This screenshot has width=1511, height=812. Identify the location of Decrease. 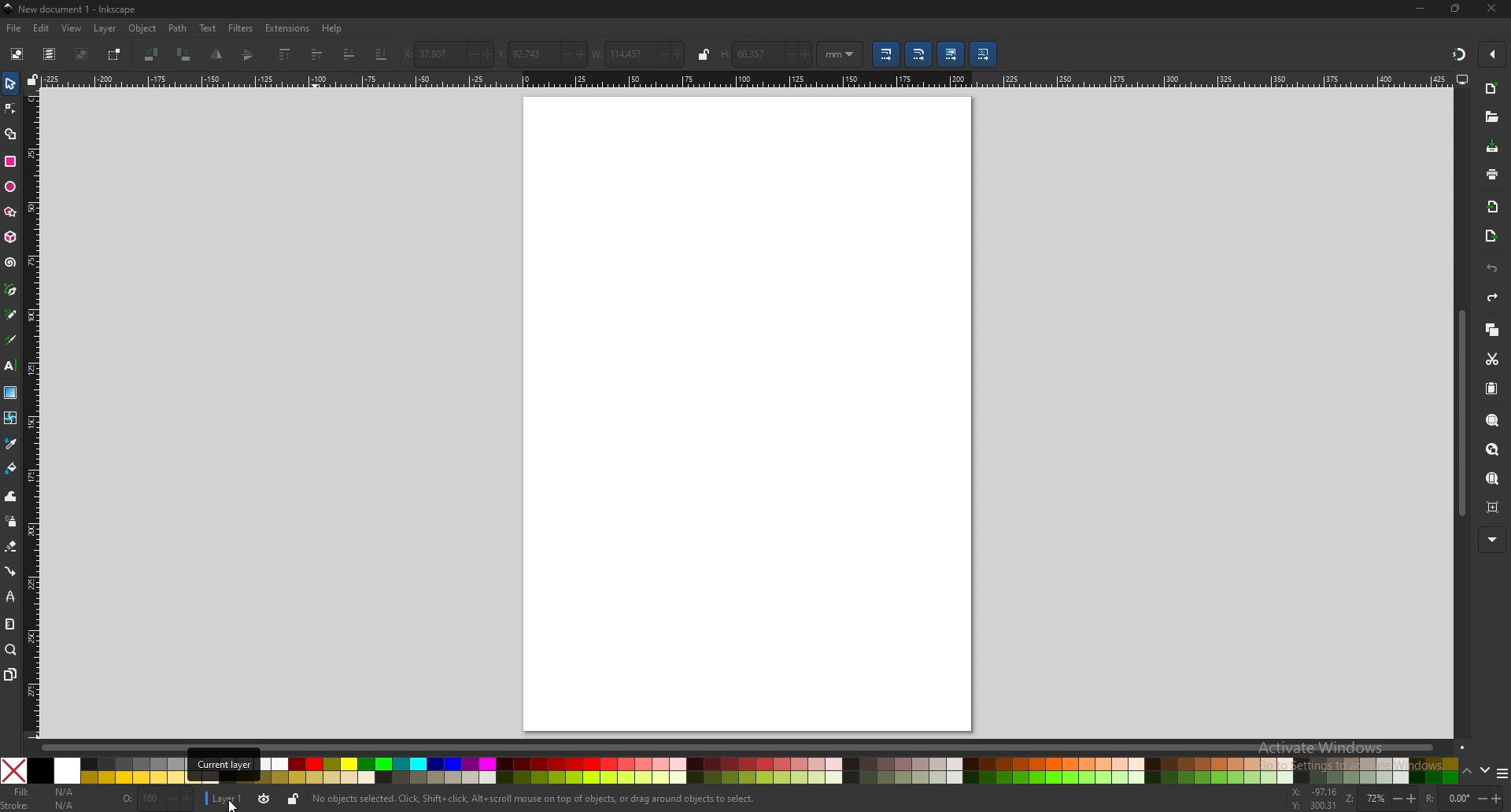
(787, 54).